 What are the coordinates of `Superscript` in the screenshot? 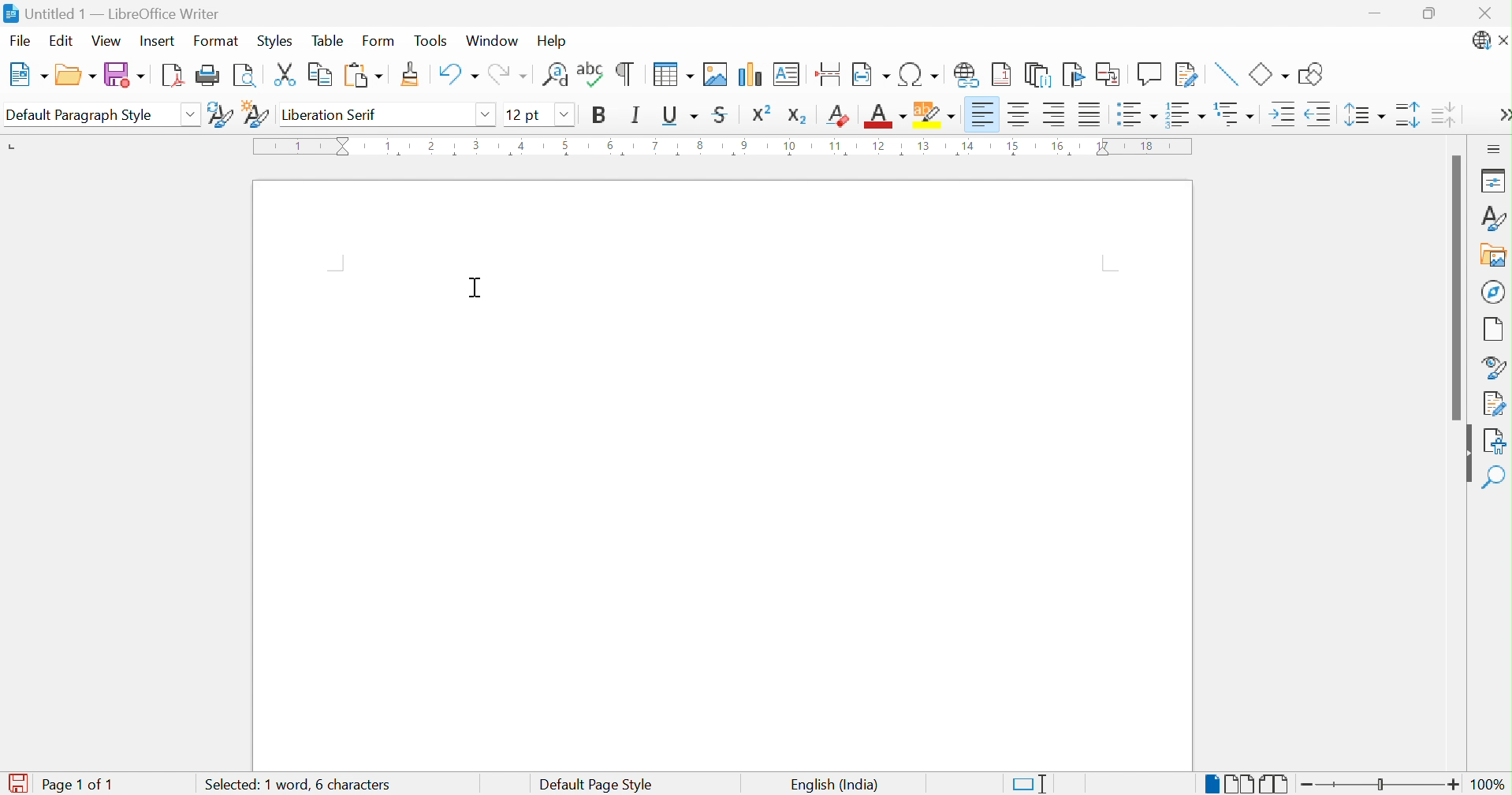 It's located at (764, 114).